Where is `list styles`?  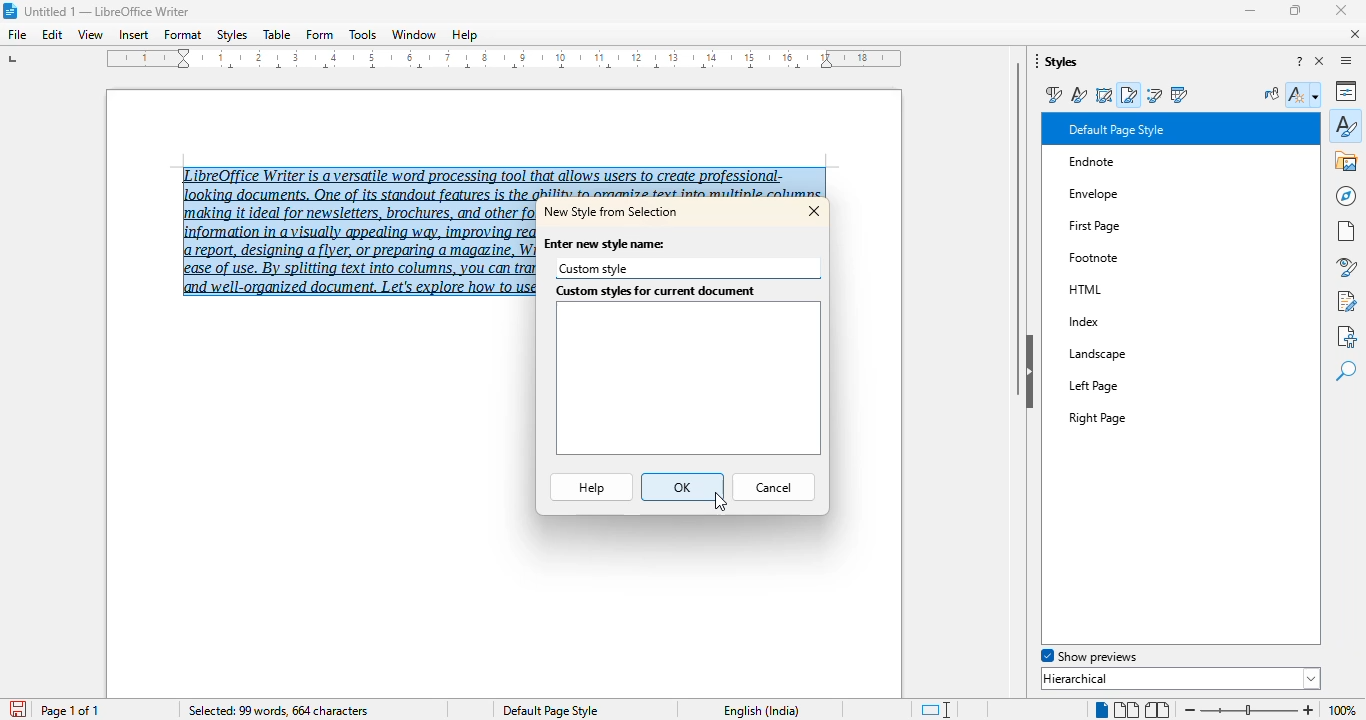
list styles is located at coordinates (1155, 94).